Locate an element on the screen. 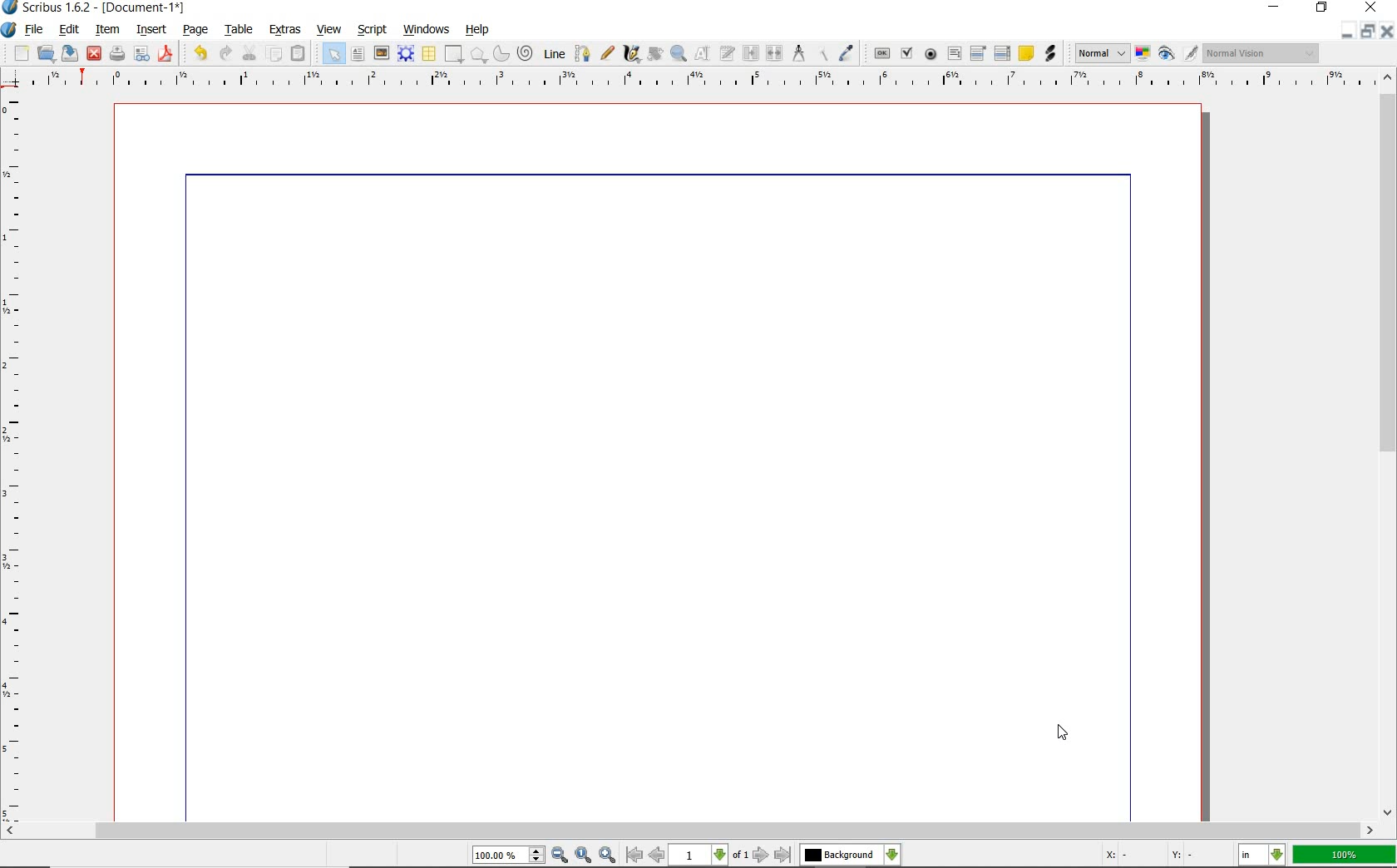 This screenshot has width=1397, height=868. select the current unit is located at coordinates (1261, 855).